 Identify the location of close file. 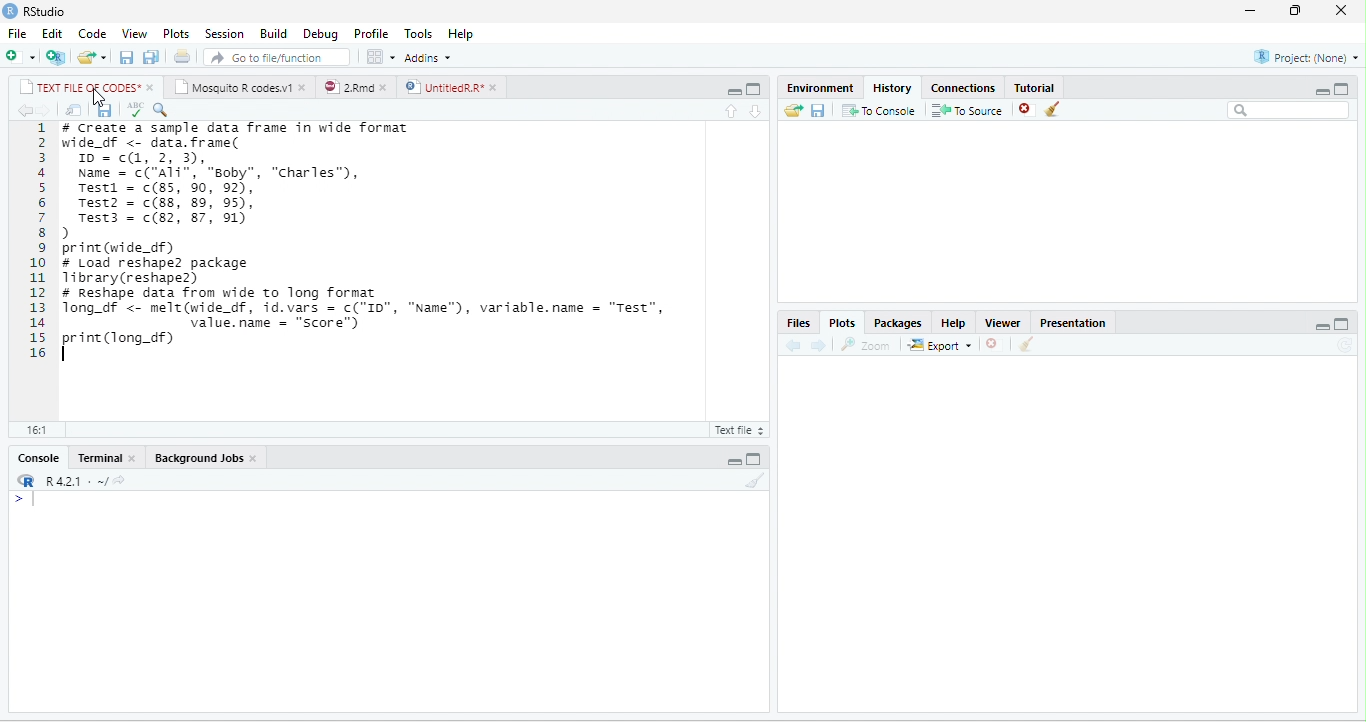
(1027, 109).